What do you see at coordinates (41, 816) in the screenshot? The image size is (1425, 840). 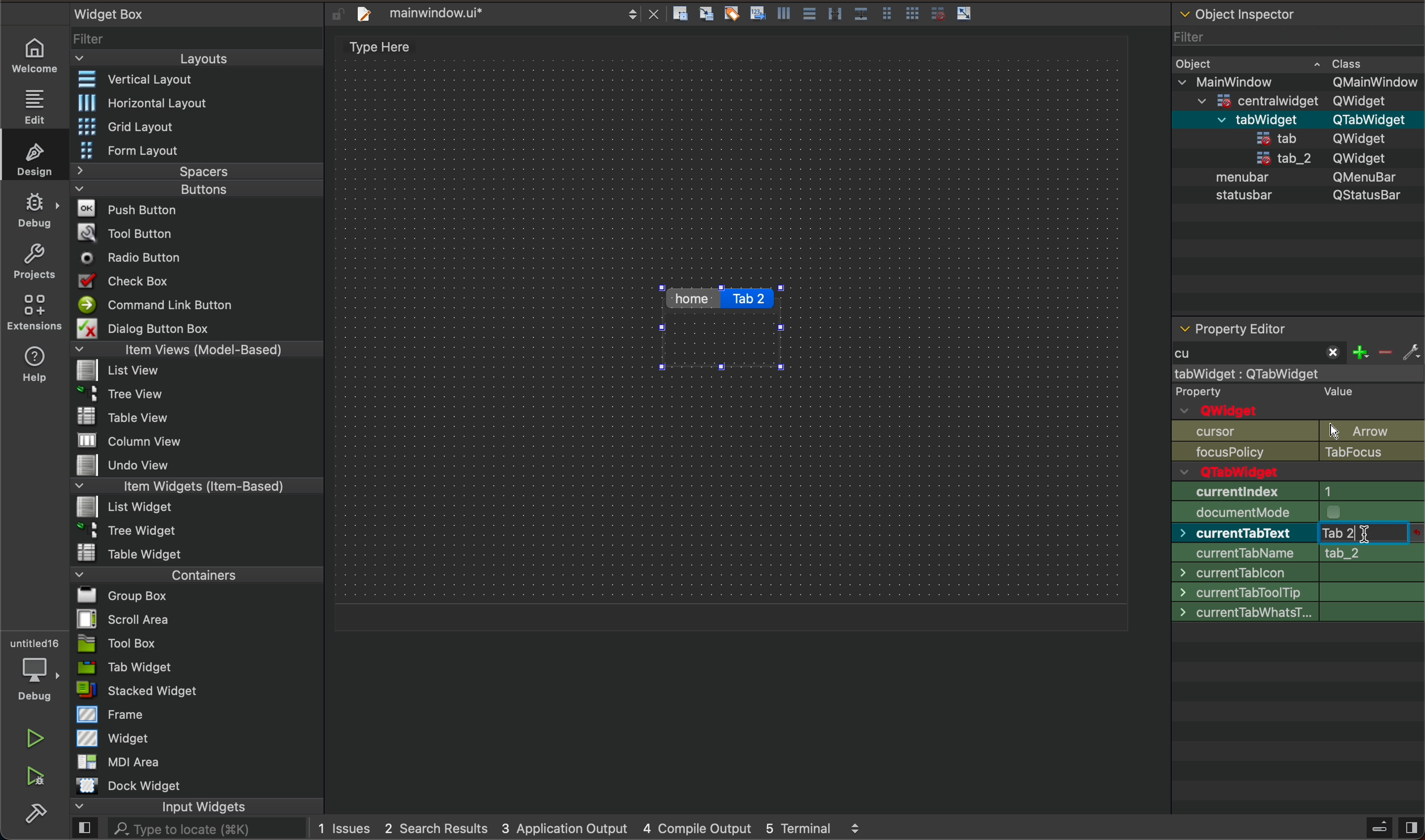 I see `build` at bounding box center [41, 816].